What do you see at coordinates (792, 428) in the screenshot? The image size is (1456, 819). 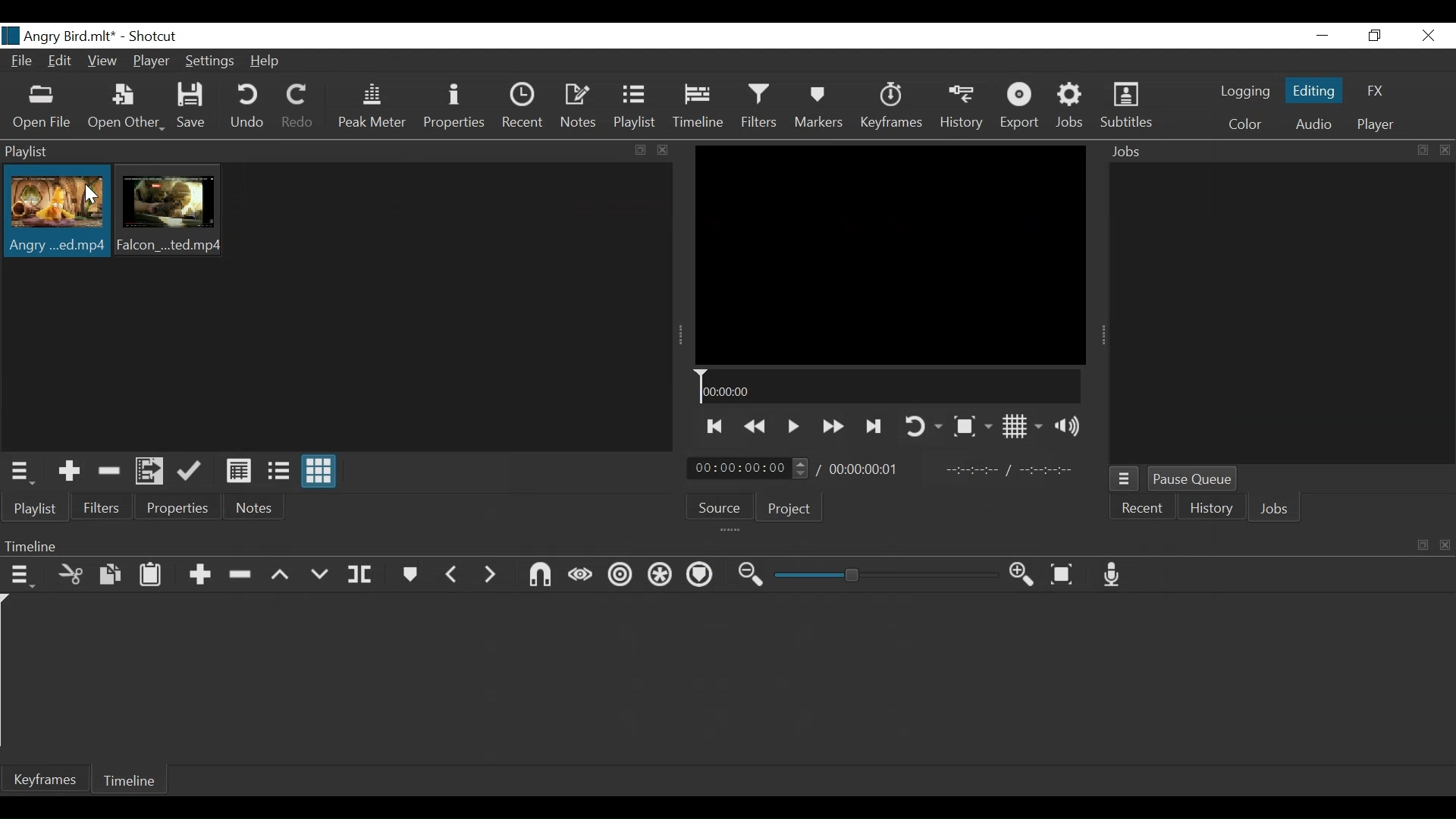 I see `Toggle play or pause (space)` at bounding box center [792, 428].